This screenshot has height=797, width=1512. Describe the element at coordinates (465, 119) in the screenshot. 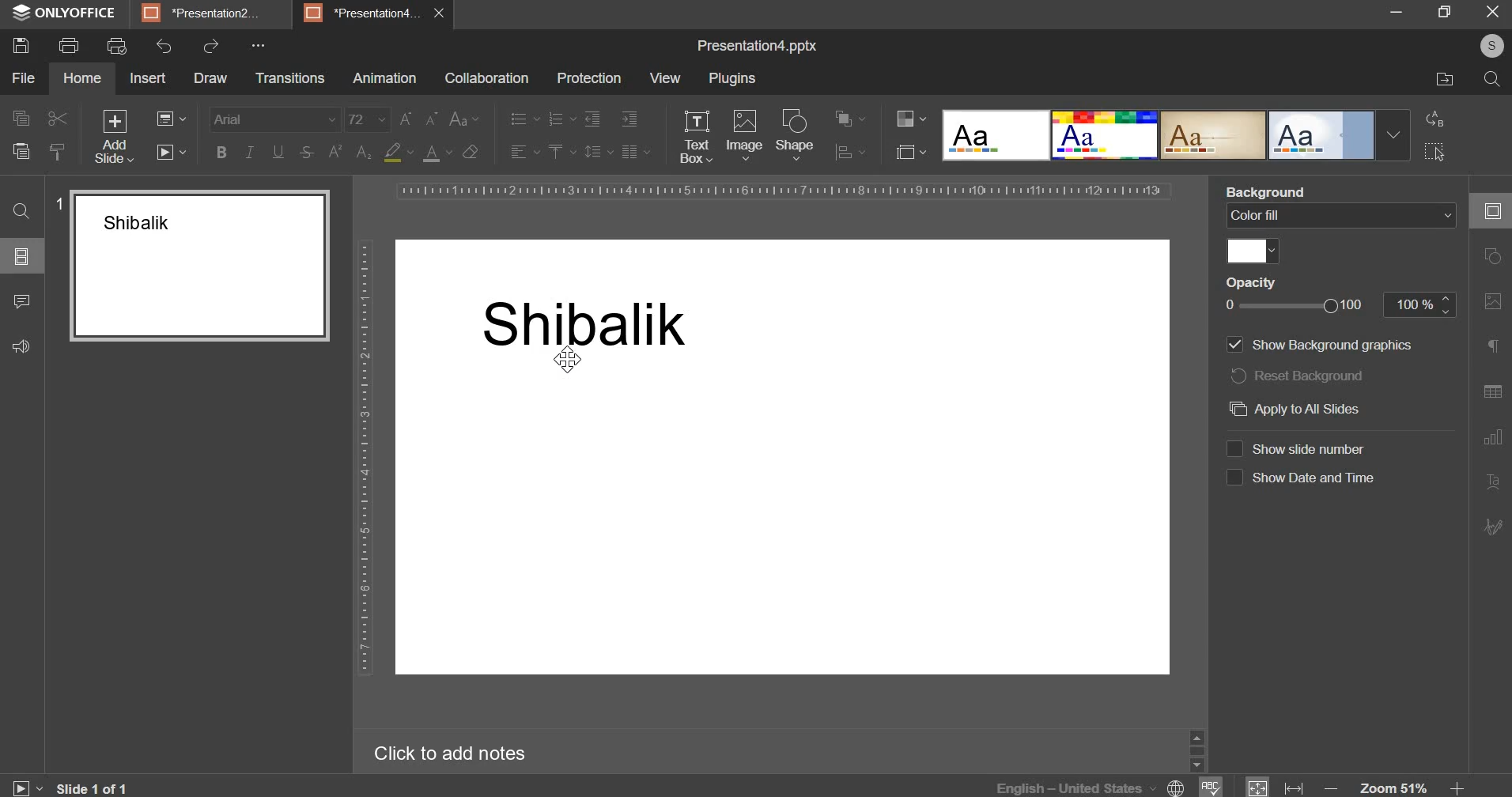

I see `change case` at that location.